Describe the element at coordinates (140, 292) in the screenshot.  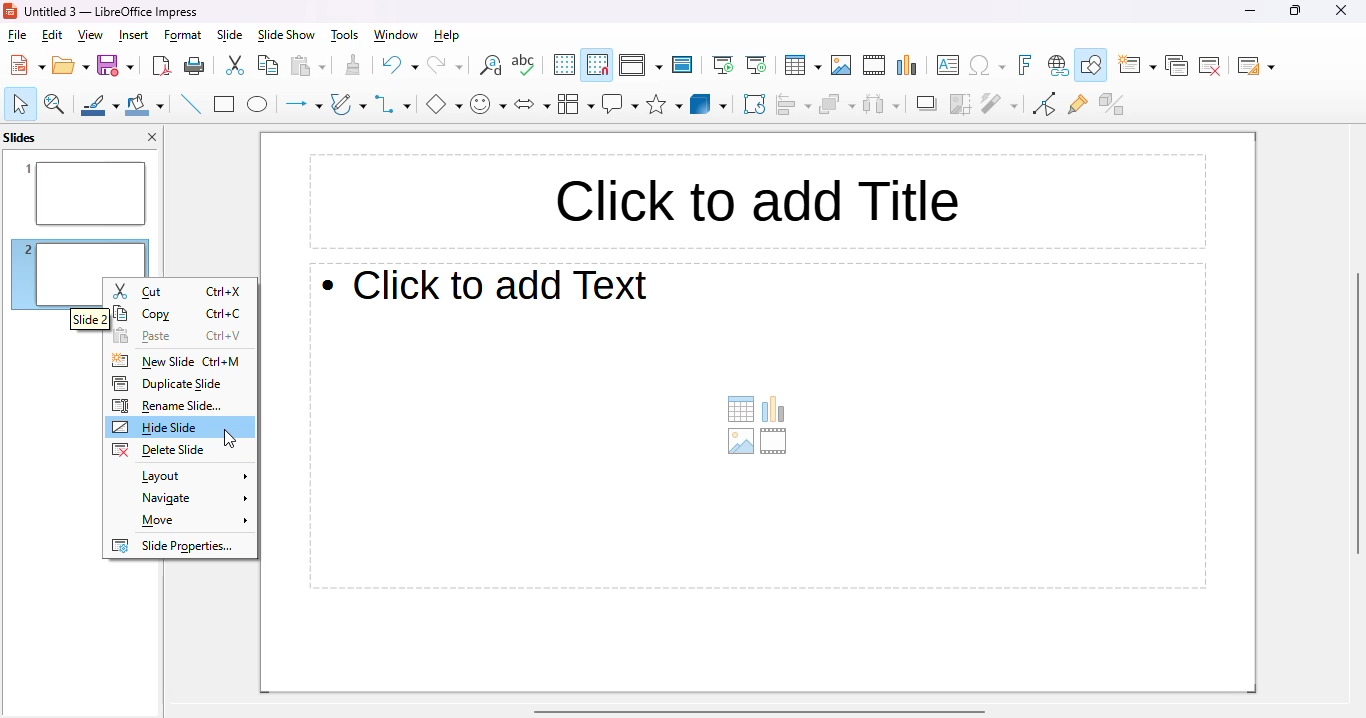
I see `cut` at that location.